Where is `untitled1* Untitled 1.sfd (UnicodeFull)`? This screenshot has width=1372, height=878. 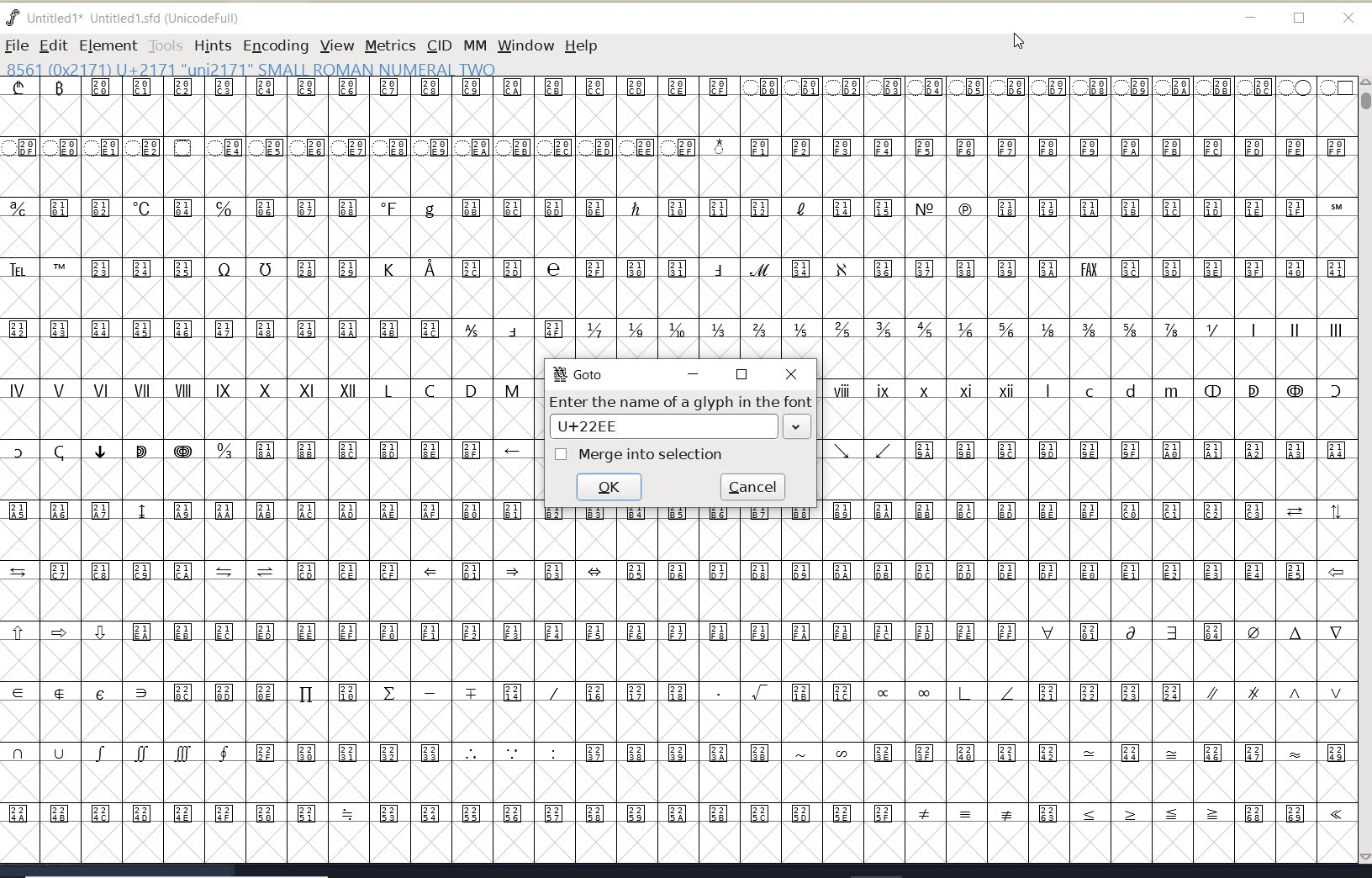 untitled1* Untitled 1.sfd (UnicodeFull) is located at coordinates (141, 16).